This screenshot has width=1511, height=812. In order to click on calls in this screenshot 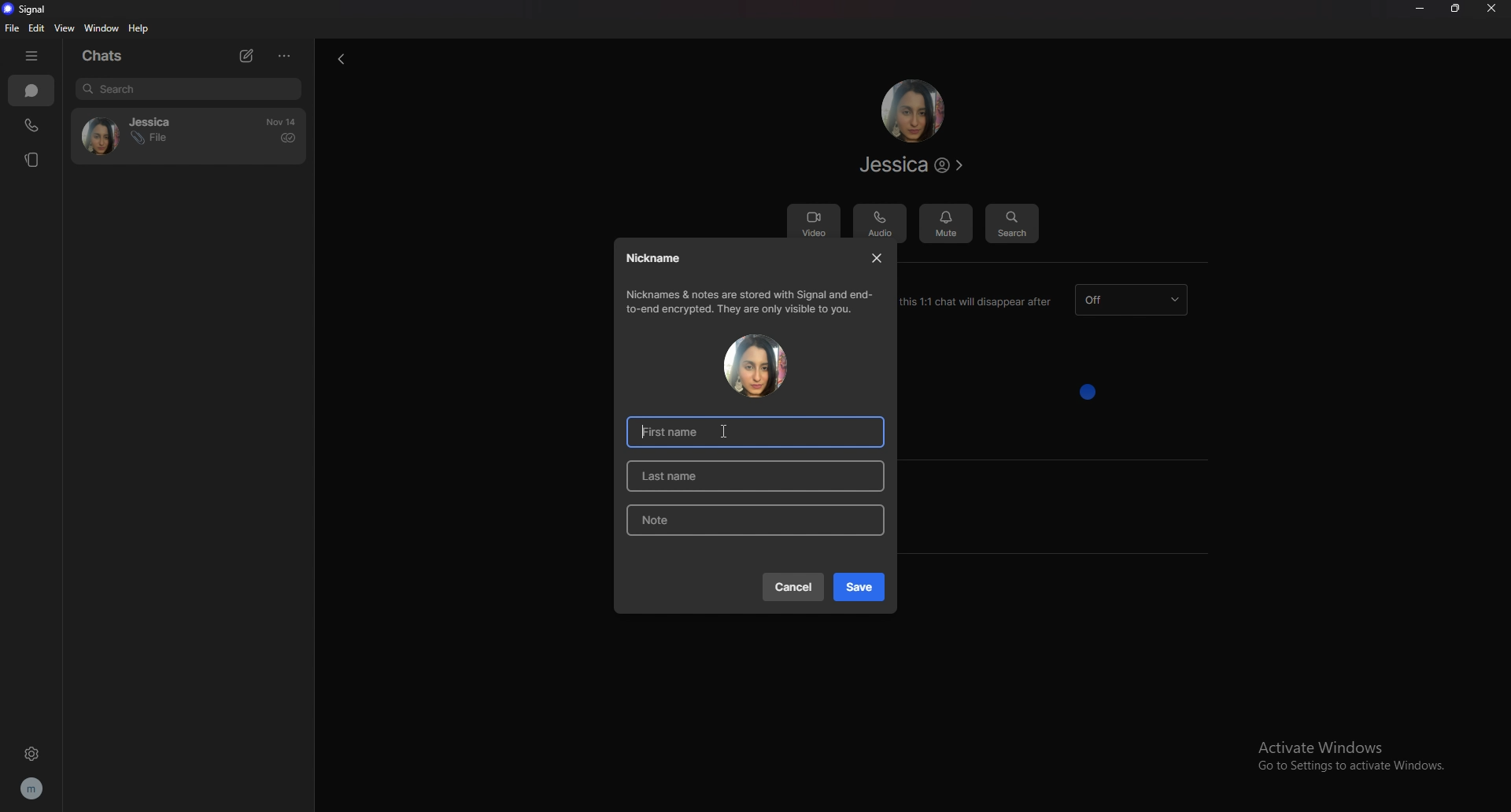, I will do `click(34, 123)`.